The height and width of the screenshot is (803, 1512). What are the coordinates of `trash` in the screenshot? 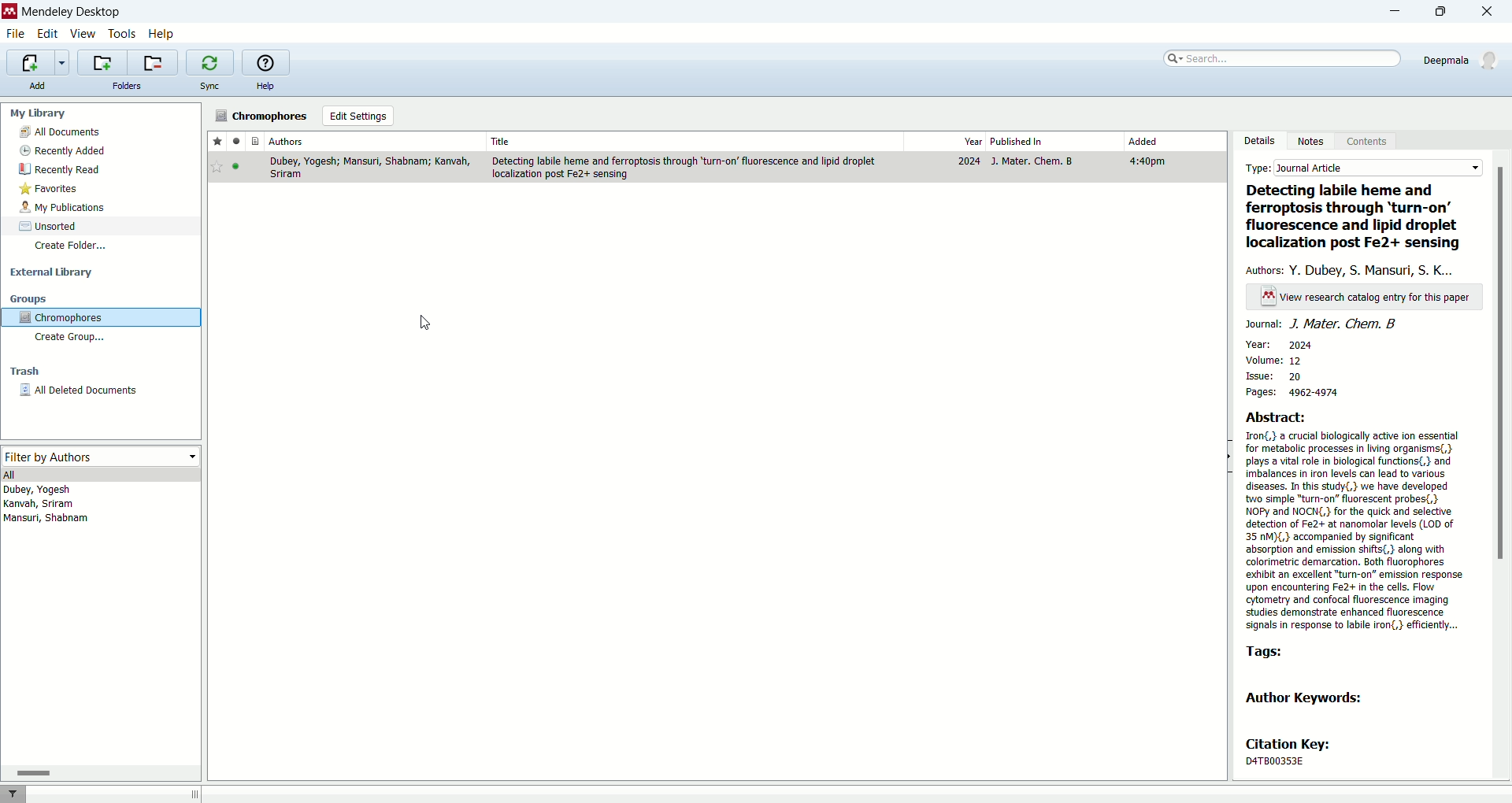 It's located at (23, 372).